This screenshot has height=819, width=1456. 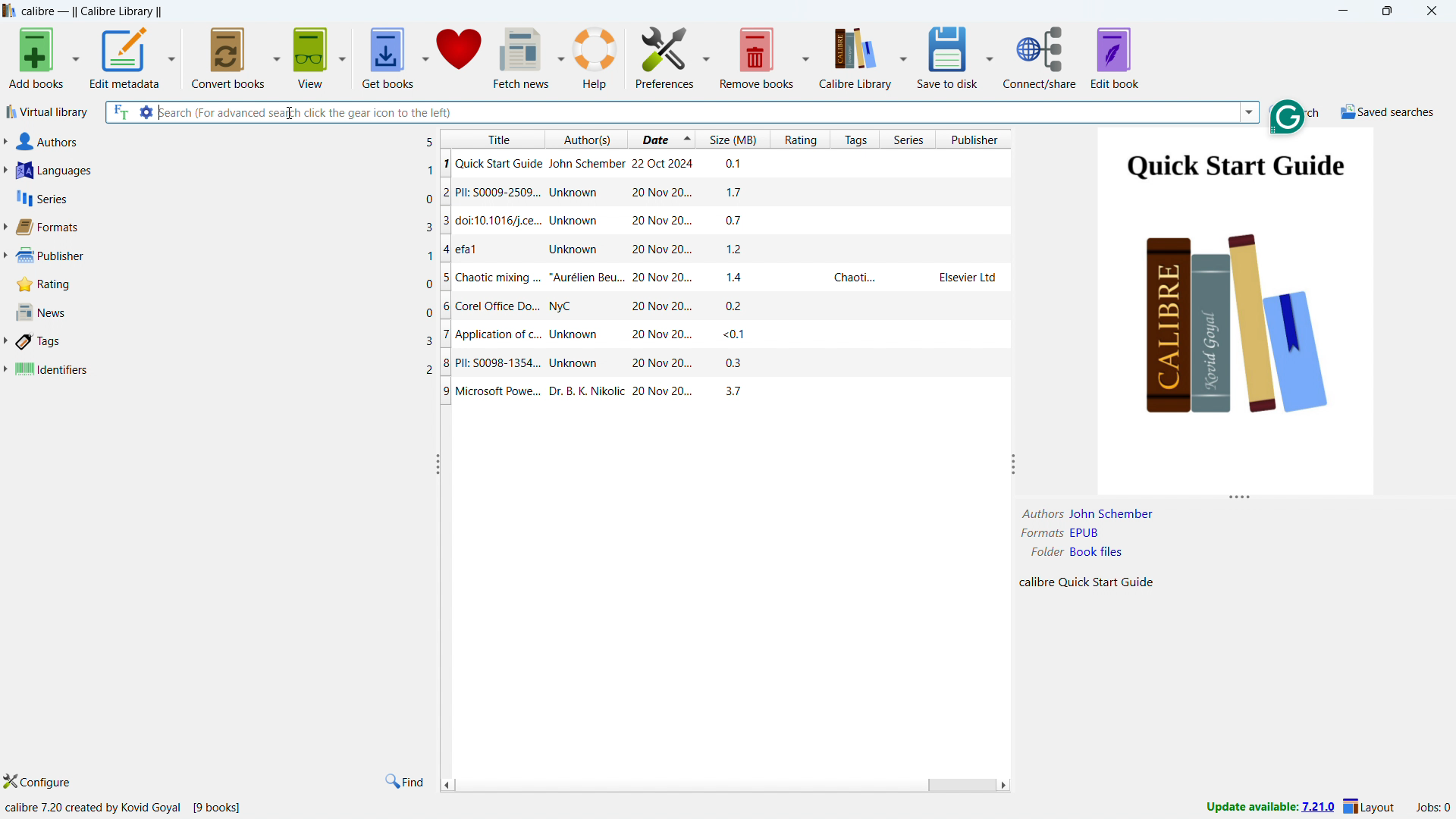 I want to click on active jobs, so click(x=1434, y=808).